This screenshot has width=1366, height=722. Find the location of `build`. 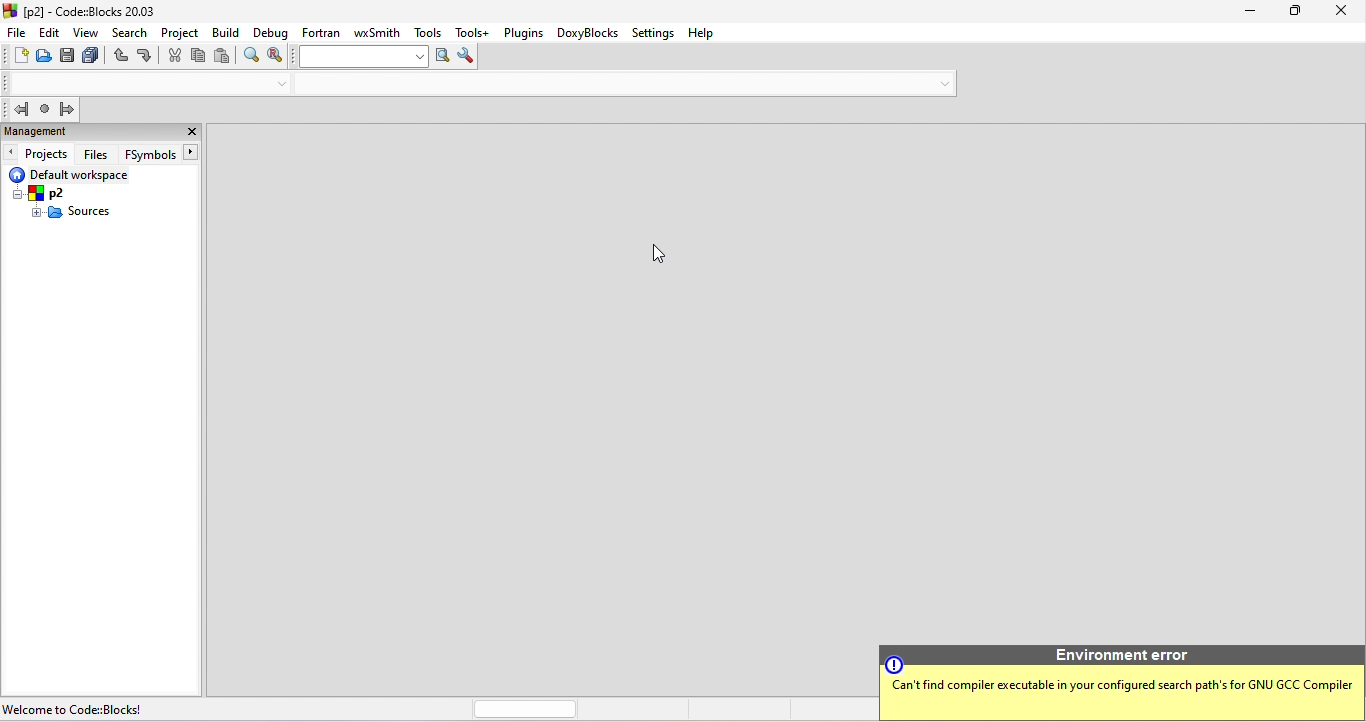

build is located at coordinates (228, 35).